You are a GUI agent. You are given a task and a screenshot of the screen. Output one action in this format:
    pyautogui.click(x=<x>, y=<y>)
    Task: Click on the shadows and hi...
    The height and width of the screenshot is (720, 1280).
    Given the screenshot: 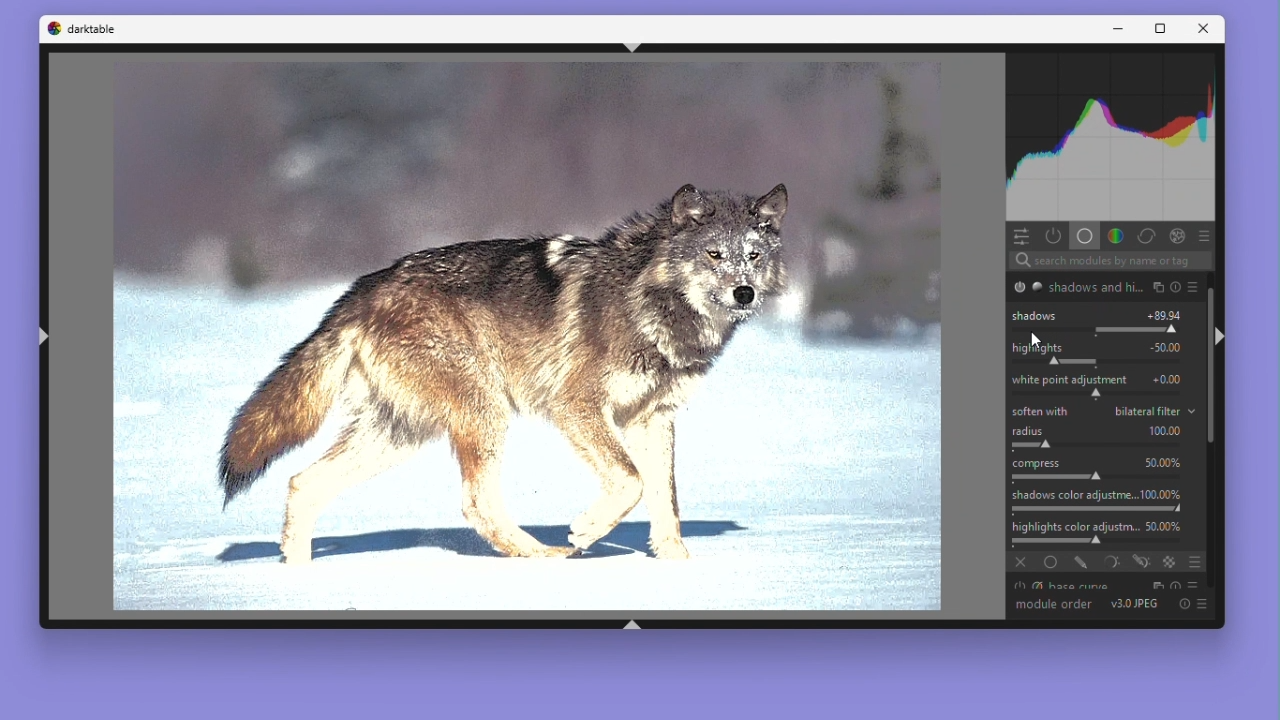 What is the action you would take?
    pyautogui.click(x=1098, y=289)
    